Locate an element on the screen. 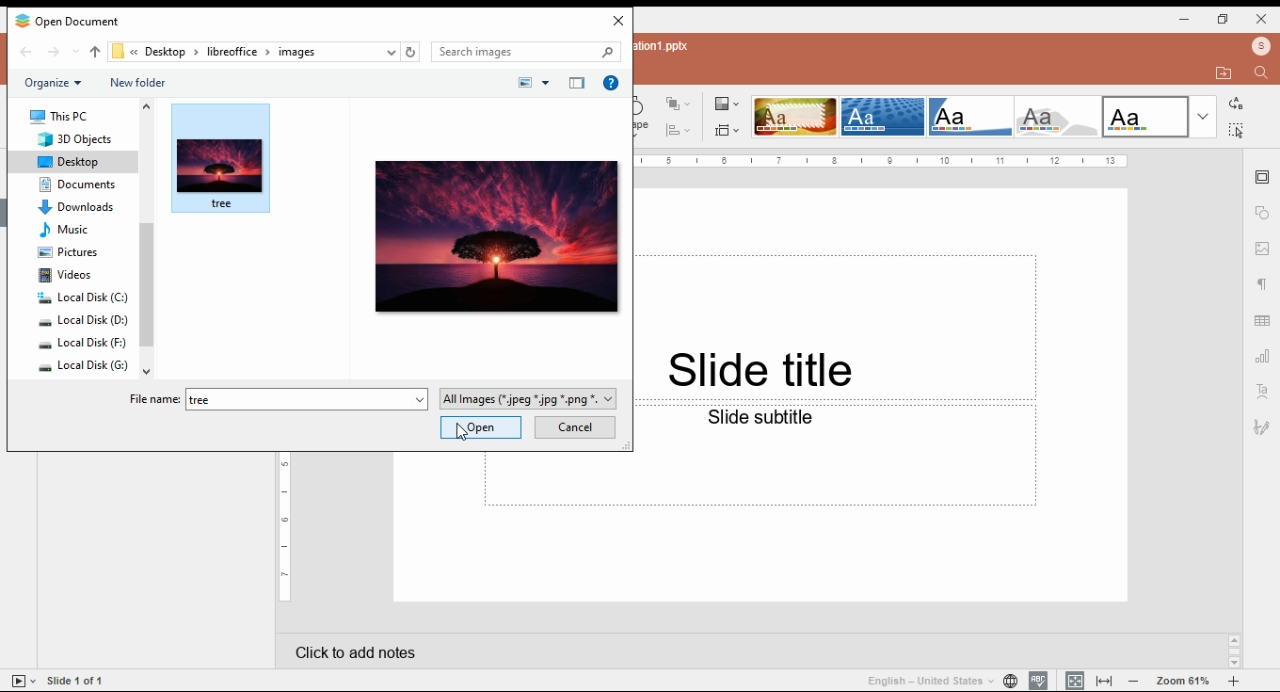 This screenshot has height=692, width=1280. file name is located at coordinates (279, 399).